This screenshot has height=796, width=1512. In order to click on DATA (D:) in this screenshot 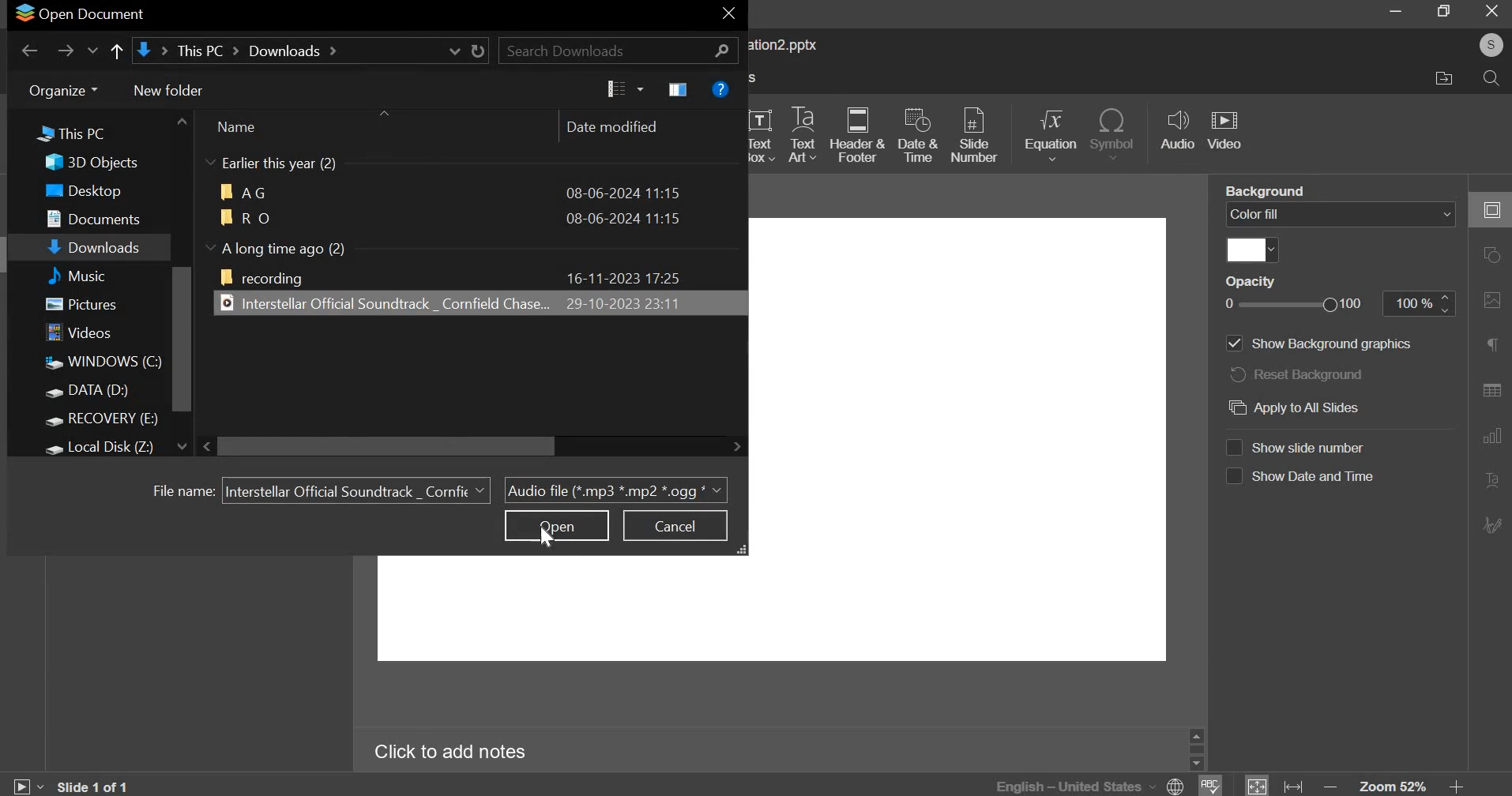, I will do `click(88, 391)`.